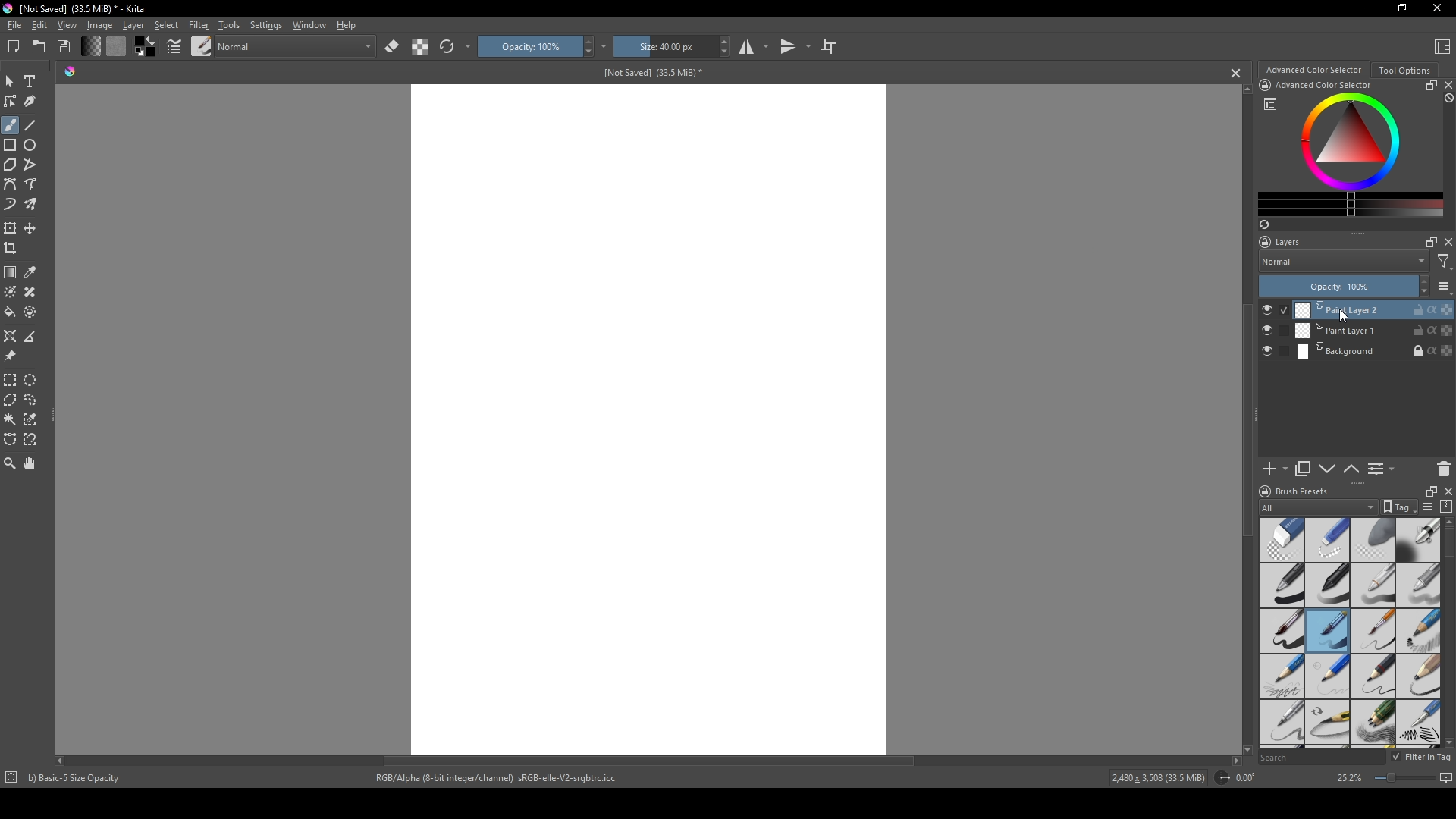 Image resolution: width=1456 pixels, height=819 pixels. Describe the element at coordinates (1447, 507) in the screenshot. I see `compress` at that location.